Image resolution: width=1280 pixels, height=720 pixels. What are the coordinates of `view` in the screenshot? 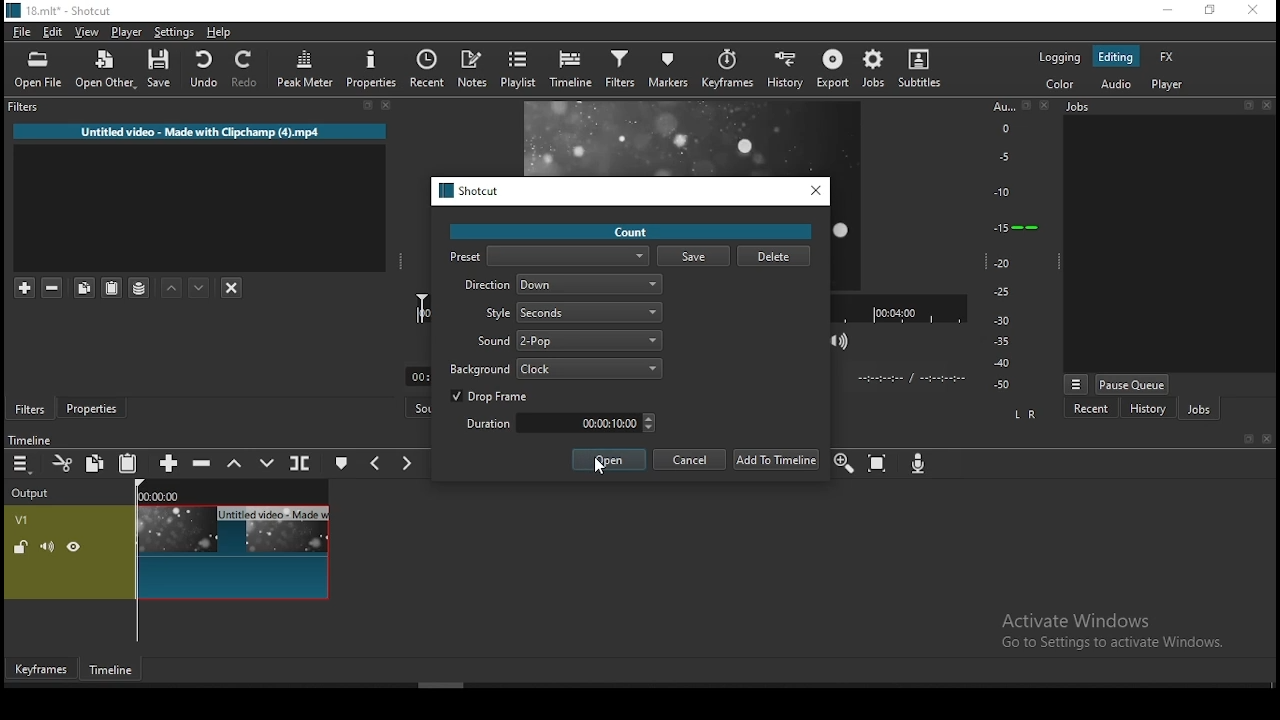 It's located at (87, 31).